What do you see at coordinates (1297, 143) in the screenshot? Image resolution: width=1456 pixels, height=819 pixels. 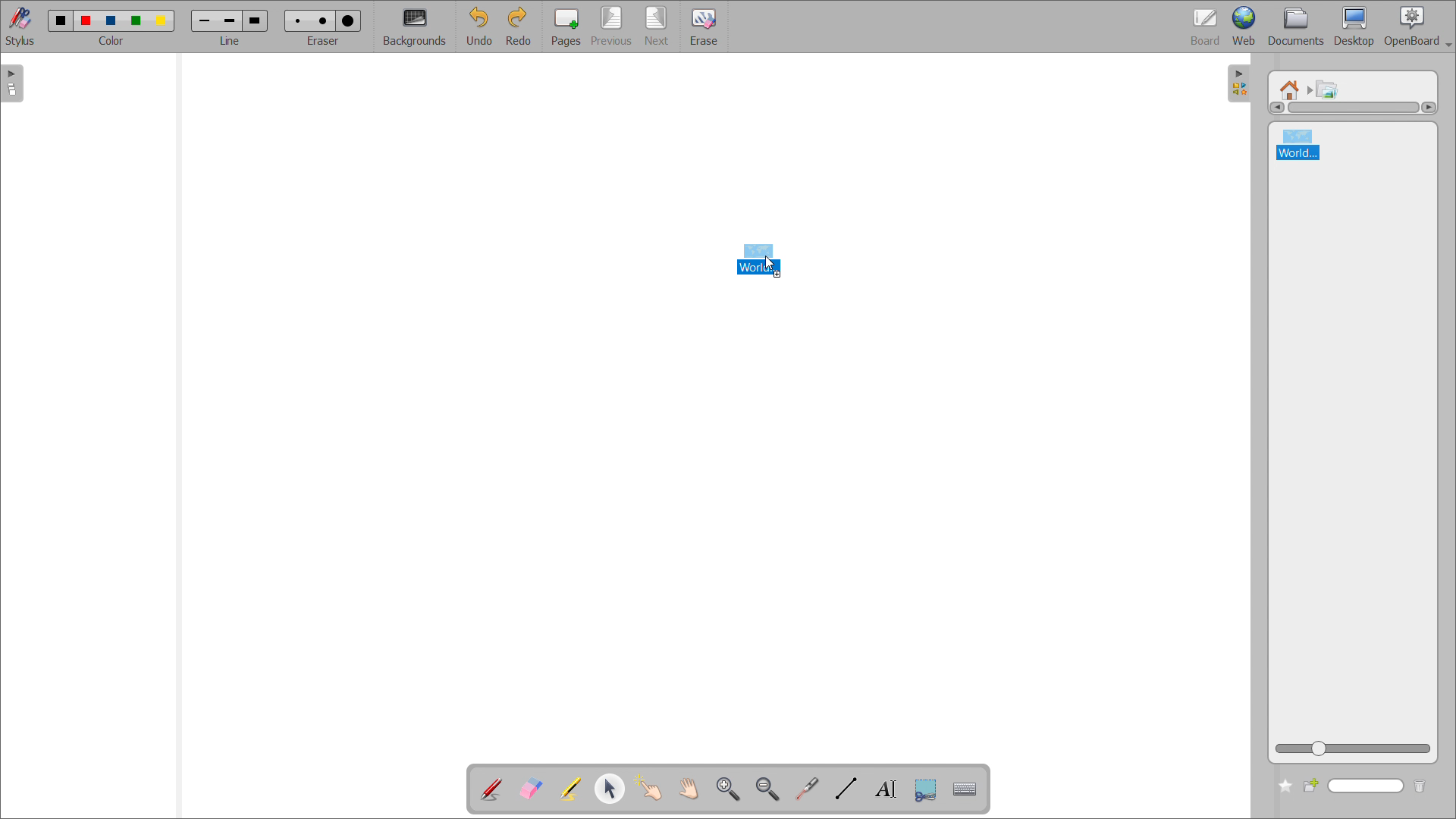 I see `world` at bounding box center [1297, 143].